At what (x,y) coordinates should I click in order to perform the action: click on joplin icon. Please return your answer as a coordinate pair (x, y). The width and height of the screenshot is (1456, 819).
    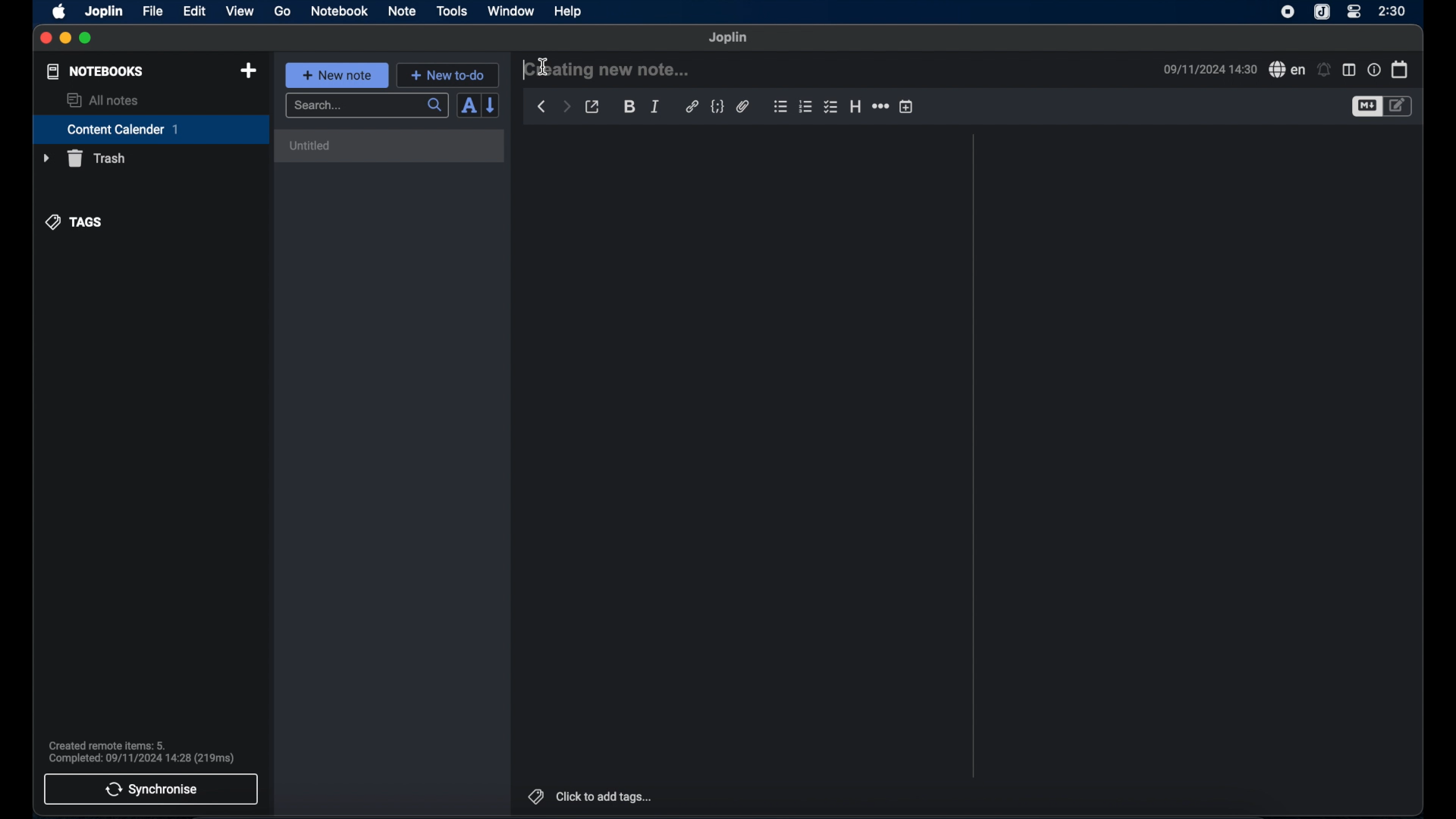
    Looking at the image, I should click on (1321, 12).